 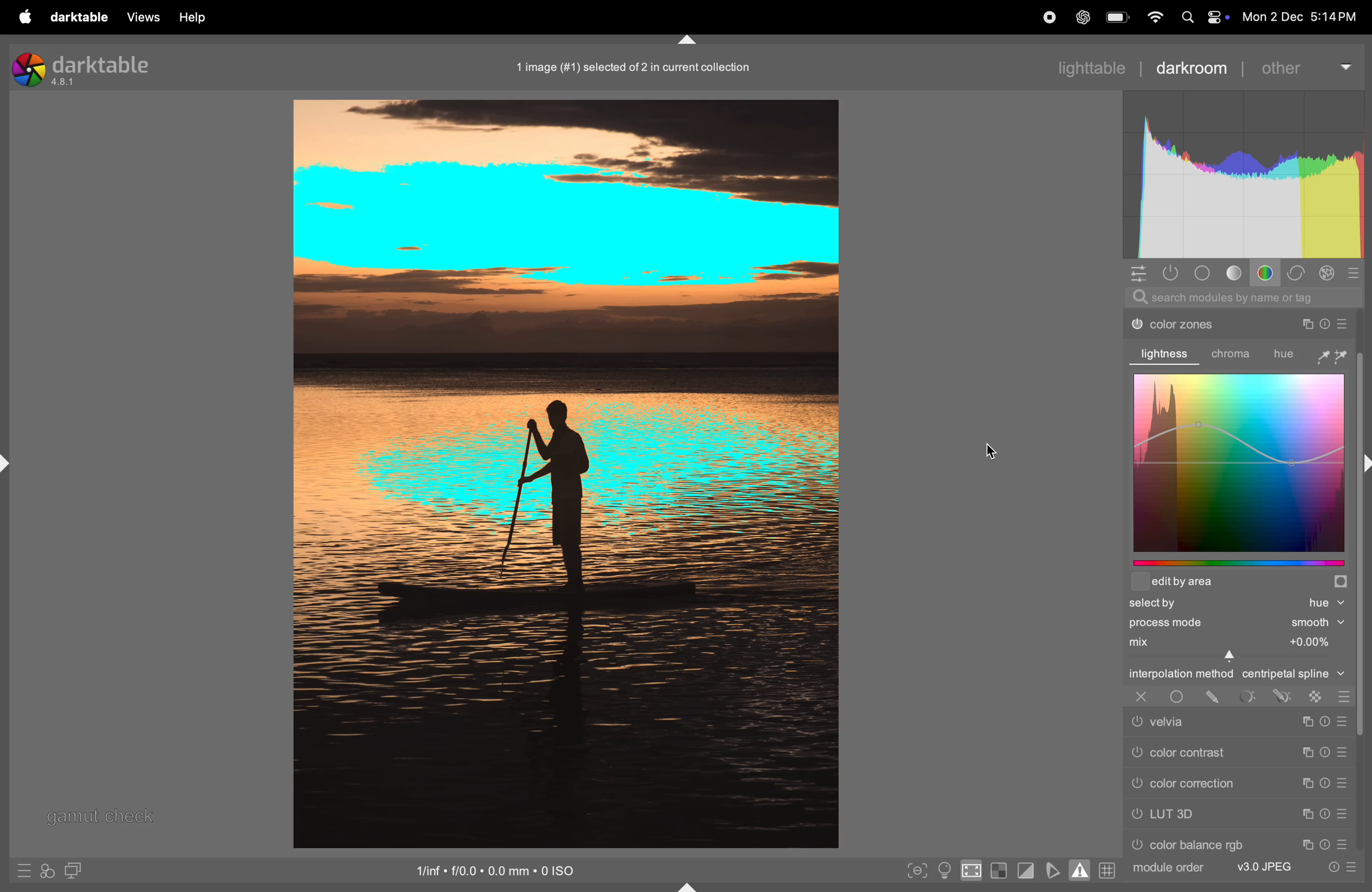 I want to click on Copy, so click(x=1306, y=721).